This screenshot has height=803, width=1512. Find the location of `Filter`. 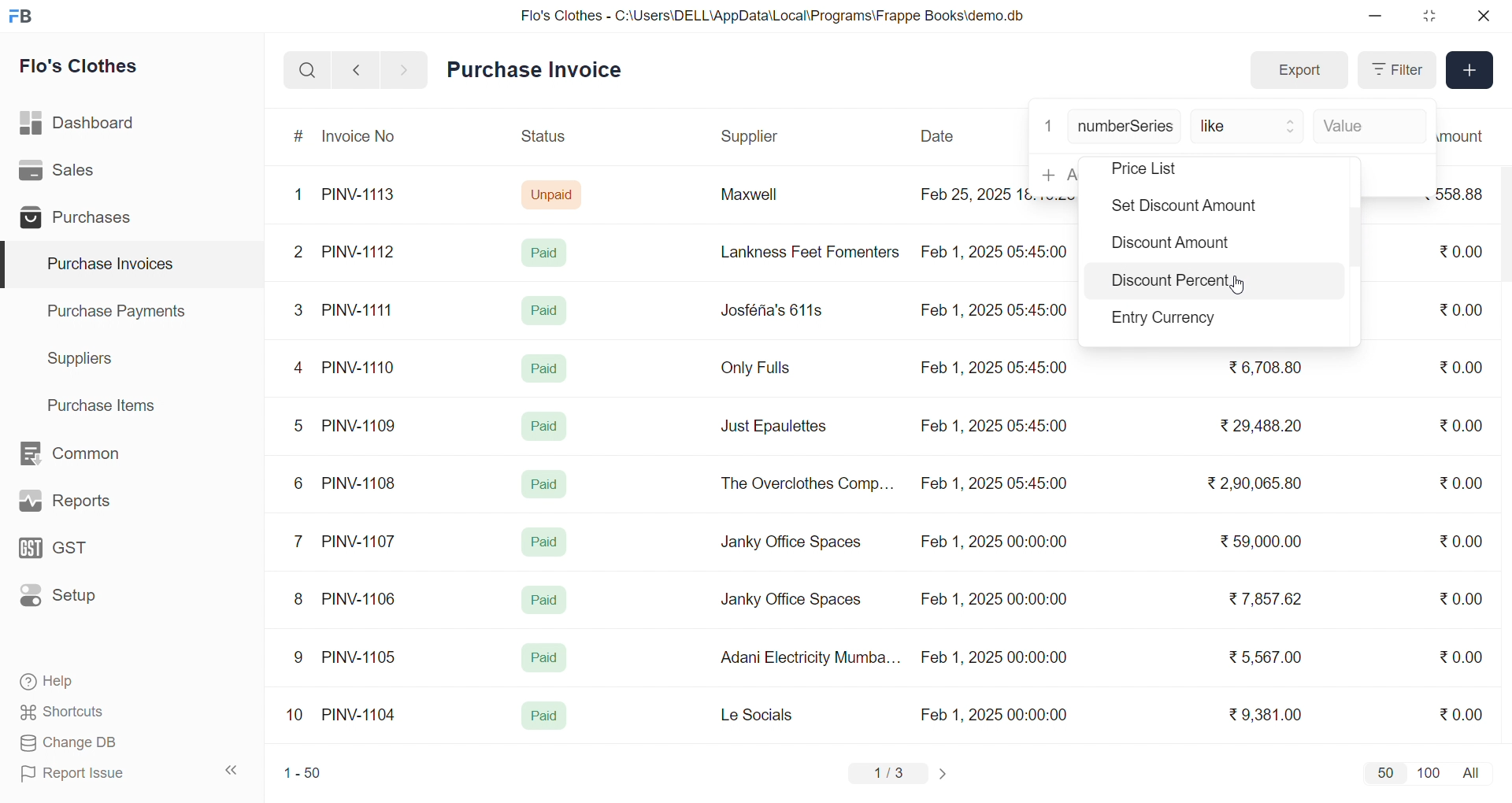

Filter is located at coordinates (1395, 70).